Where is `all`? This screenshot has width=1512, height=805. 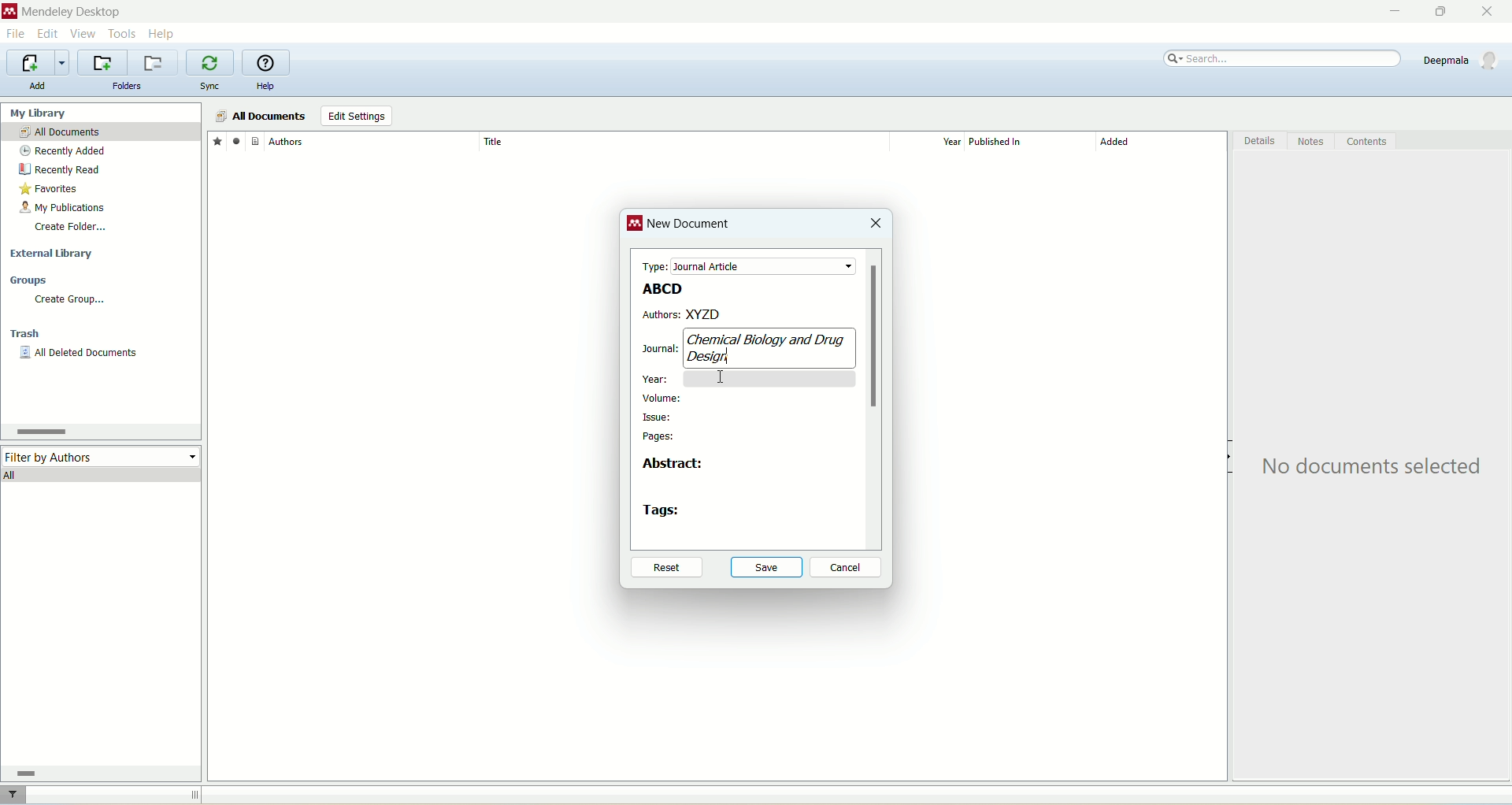 all is located at coordinates (102, 474).